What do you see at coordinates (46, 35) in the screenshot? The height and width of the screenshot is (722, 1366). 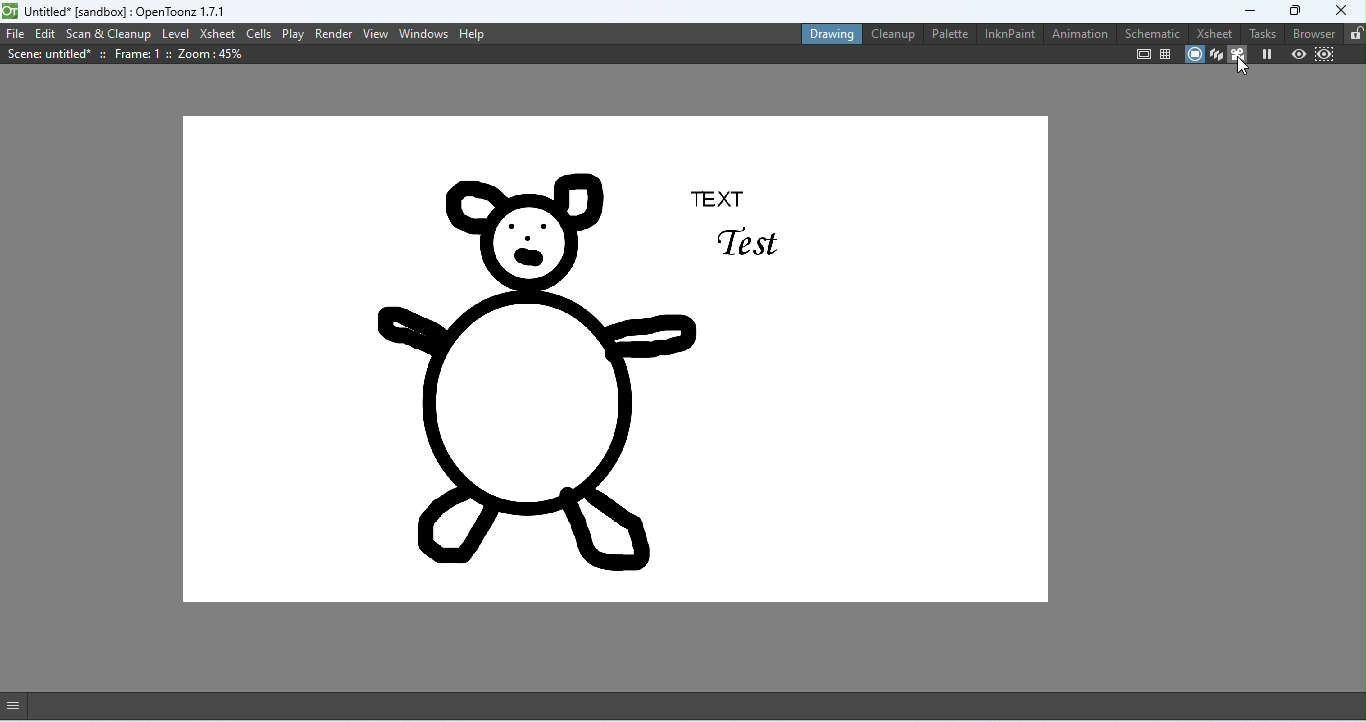 I see `edit` at bounding box center [46, 35].